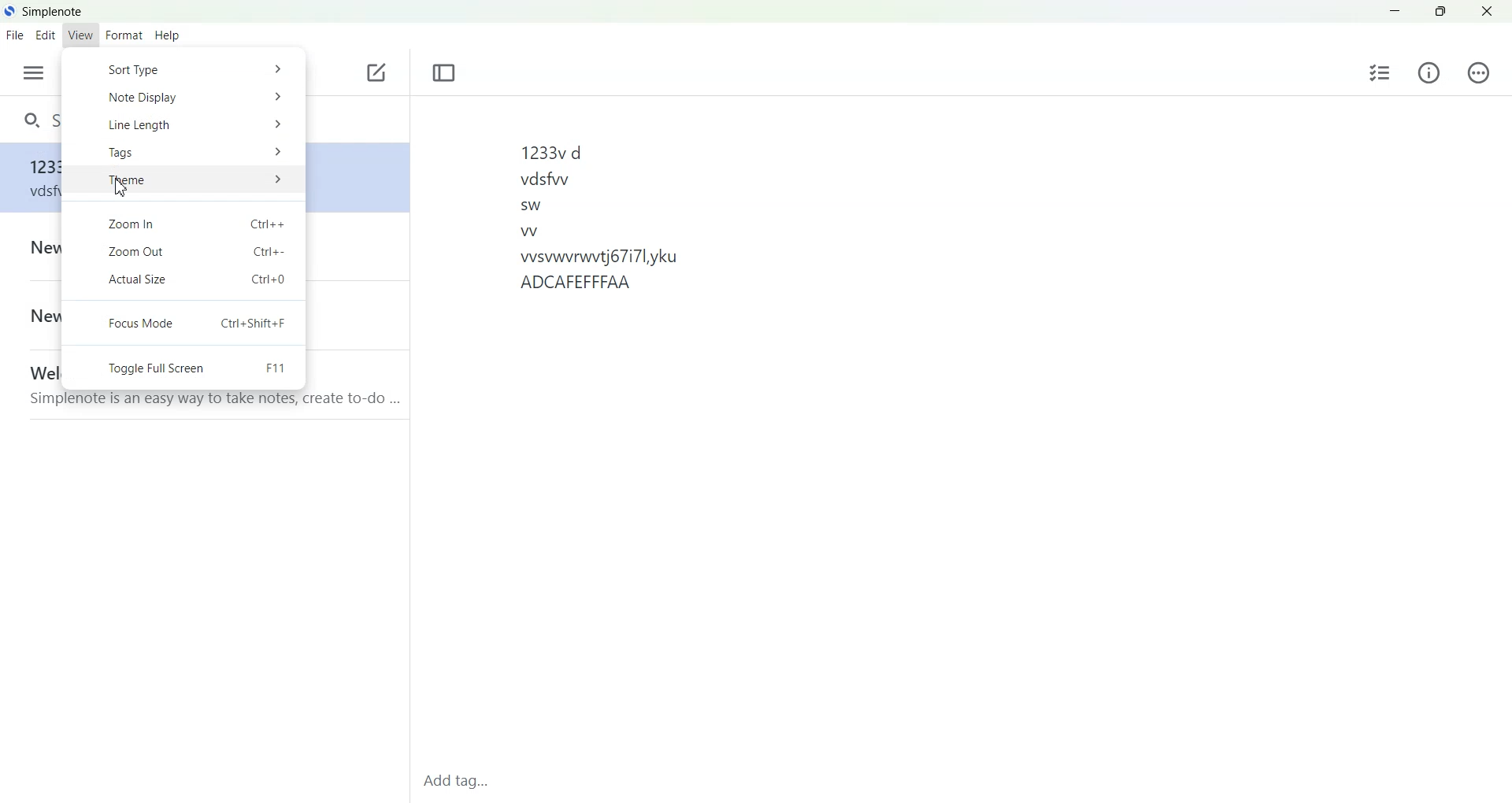 This screenshot has height=803, width=1512. What do you see at coordinates (1479, 72) in the screenshot?
I see `Action` at bounding box center [1479, 72].